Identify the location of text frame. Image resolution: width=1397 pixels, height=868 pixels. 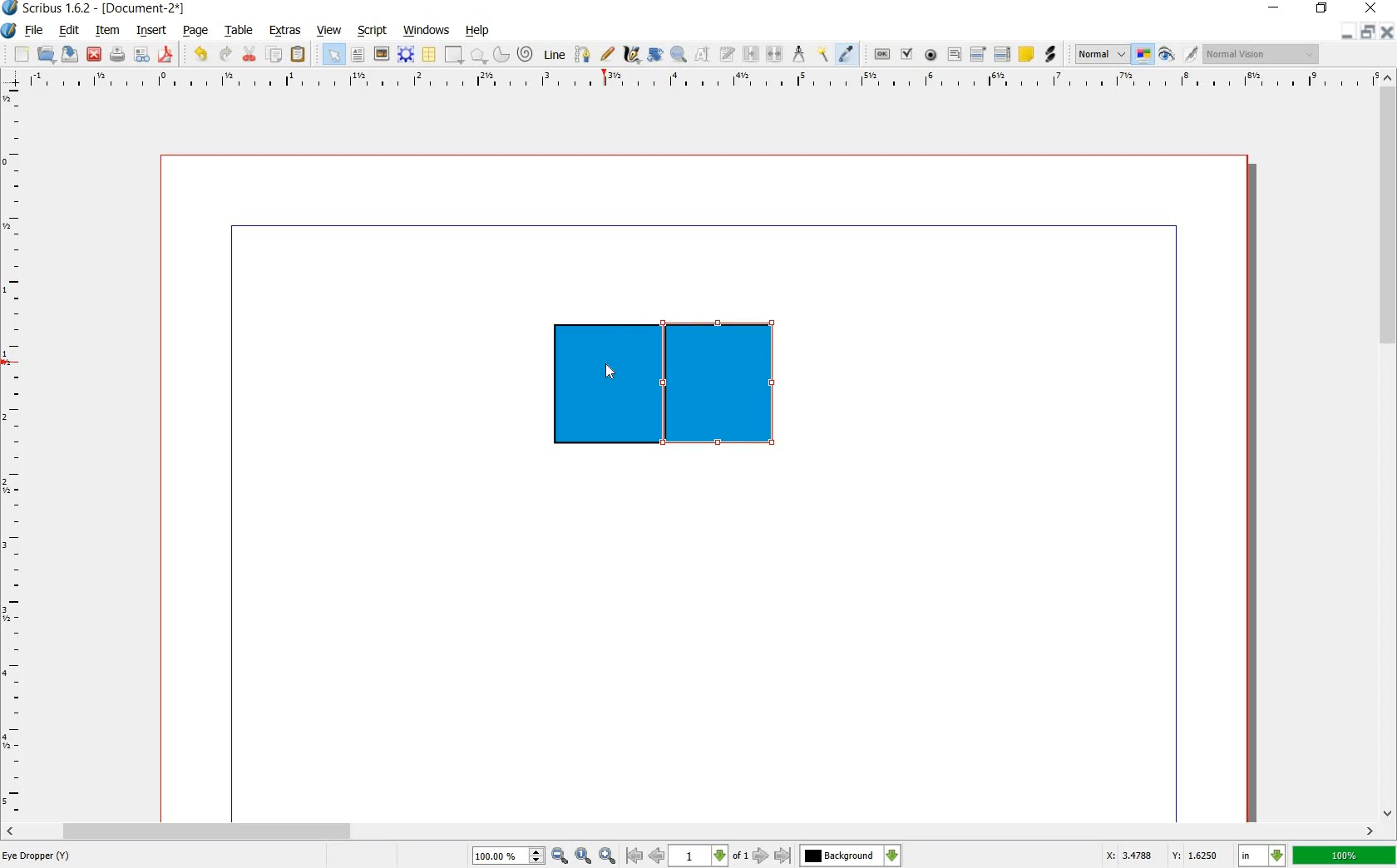
(358, 56).